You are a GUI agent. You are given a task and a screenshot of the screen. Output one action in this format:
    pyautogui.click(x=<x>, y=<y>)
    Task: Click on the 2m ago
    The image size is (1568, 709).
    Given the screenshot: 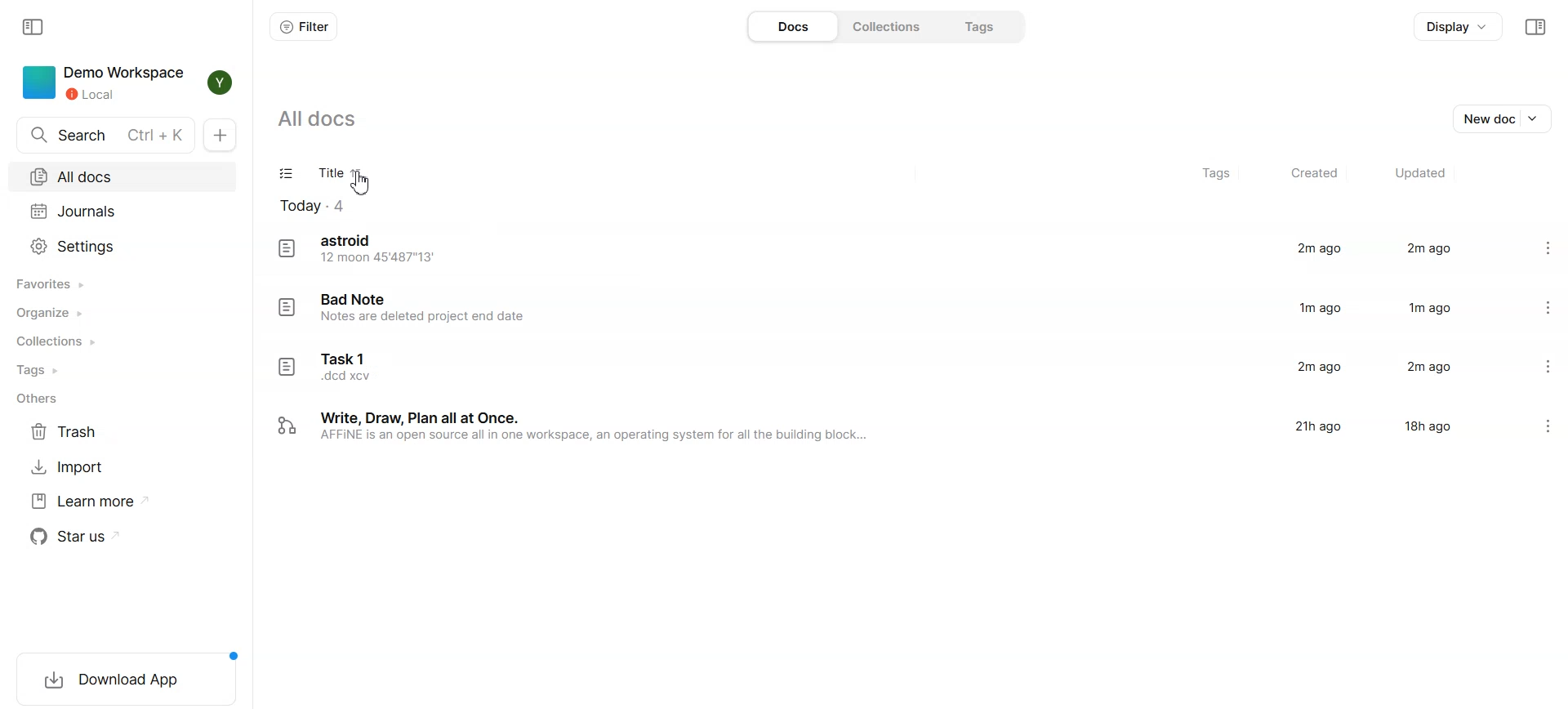 What is the action you would take?
    pyautogui.click(x=1320, y=250)
    